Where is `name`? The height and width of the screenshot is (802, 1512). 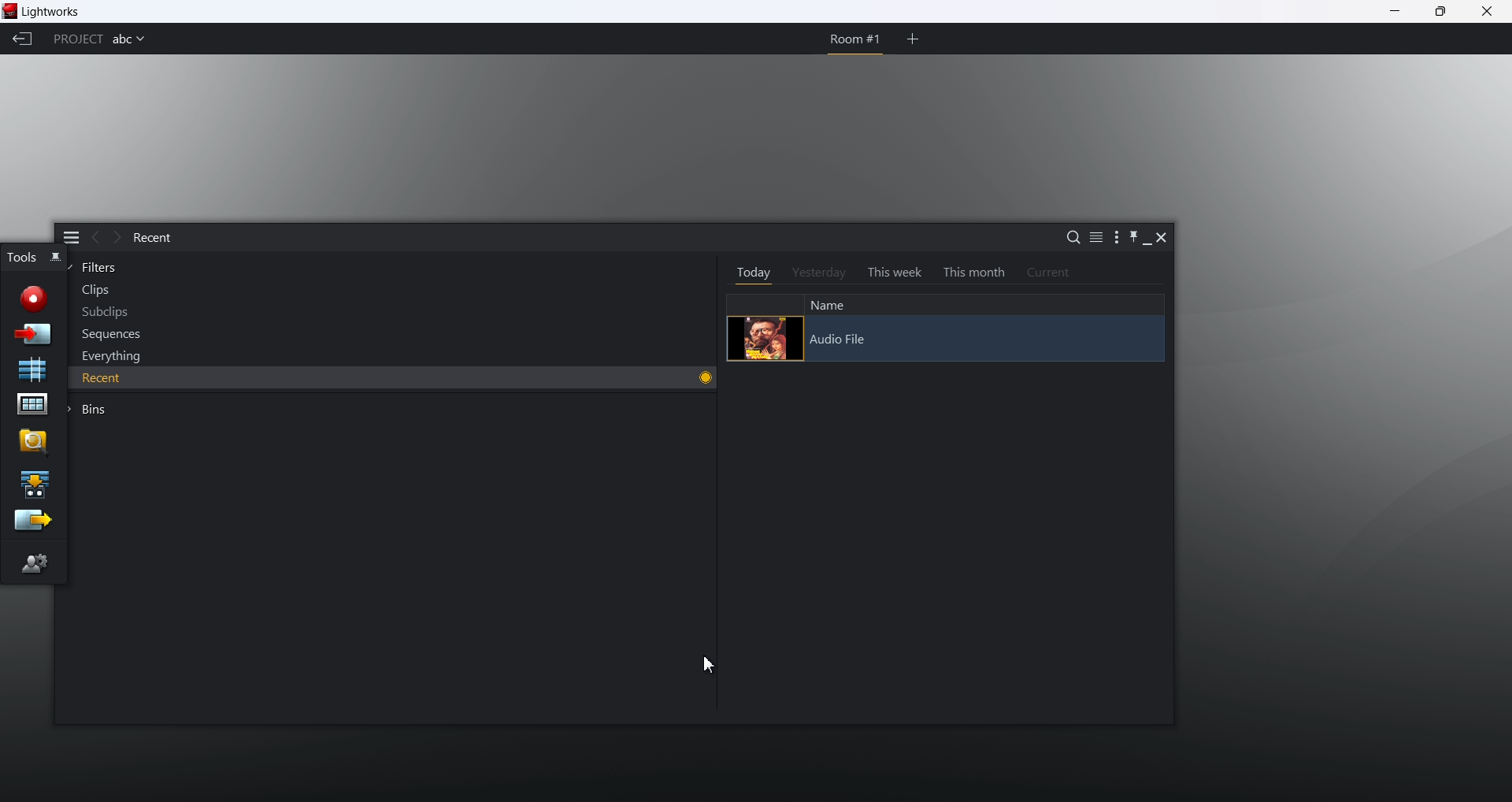
name is located at coordinates (827, 303).